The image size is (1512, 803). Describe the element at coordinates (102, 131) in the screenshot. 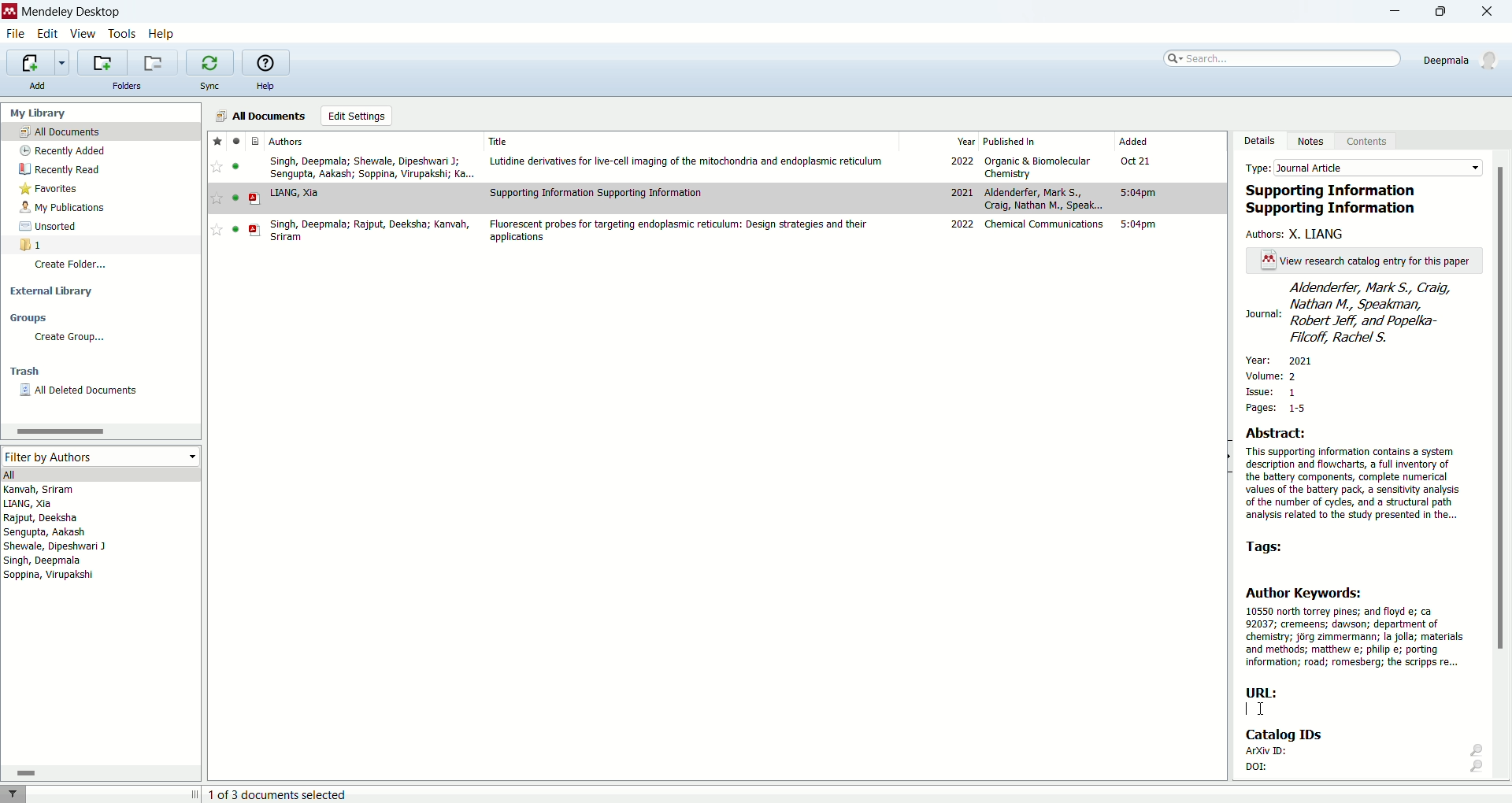

I see `all documents` at that location.